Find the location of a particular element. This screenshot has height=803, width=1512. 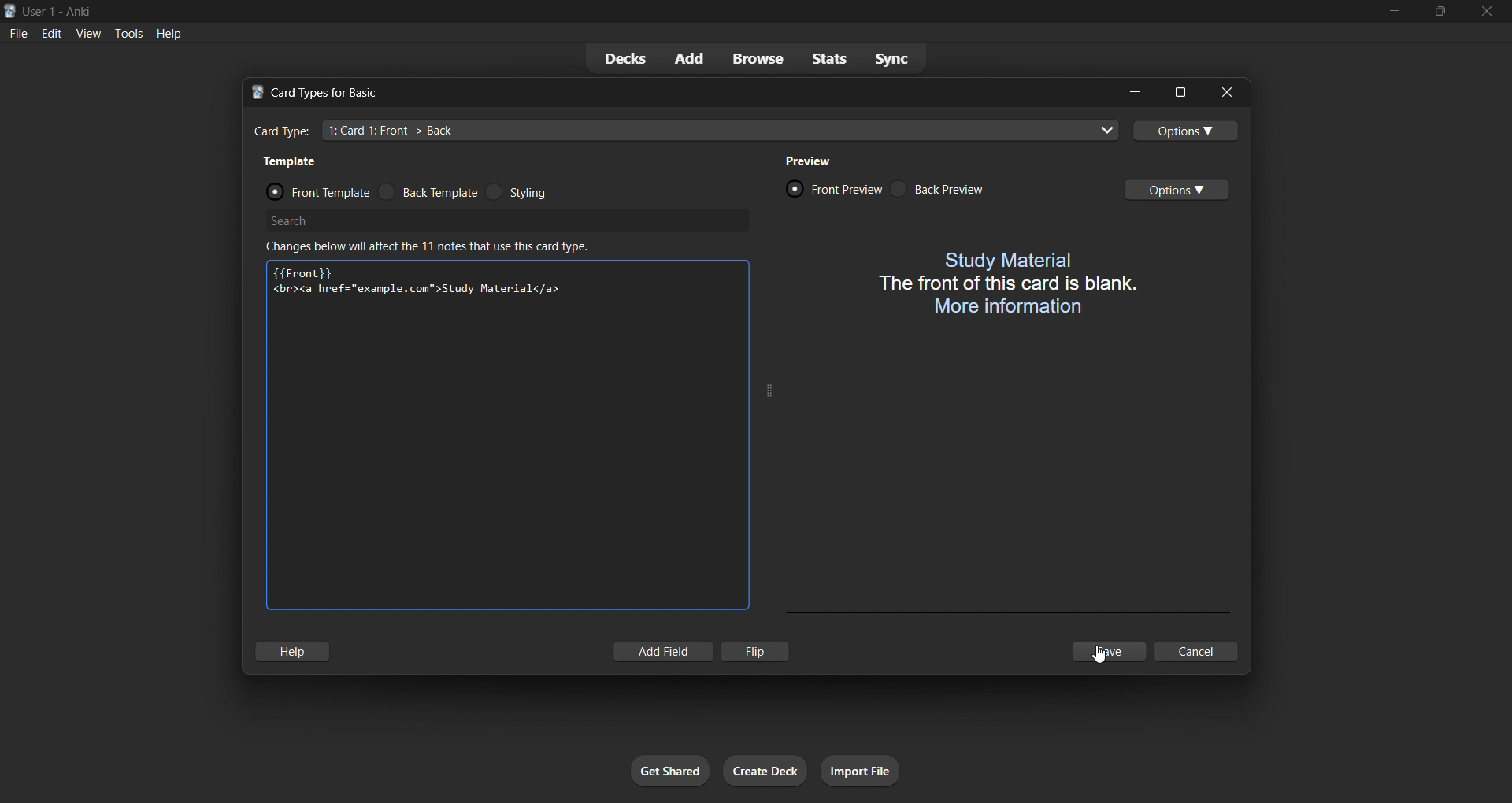

import file is located at coordinates (865, 772).